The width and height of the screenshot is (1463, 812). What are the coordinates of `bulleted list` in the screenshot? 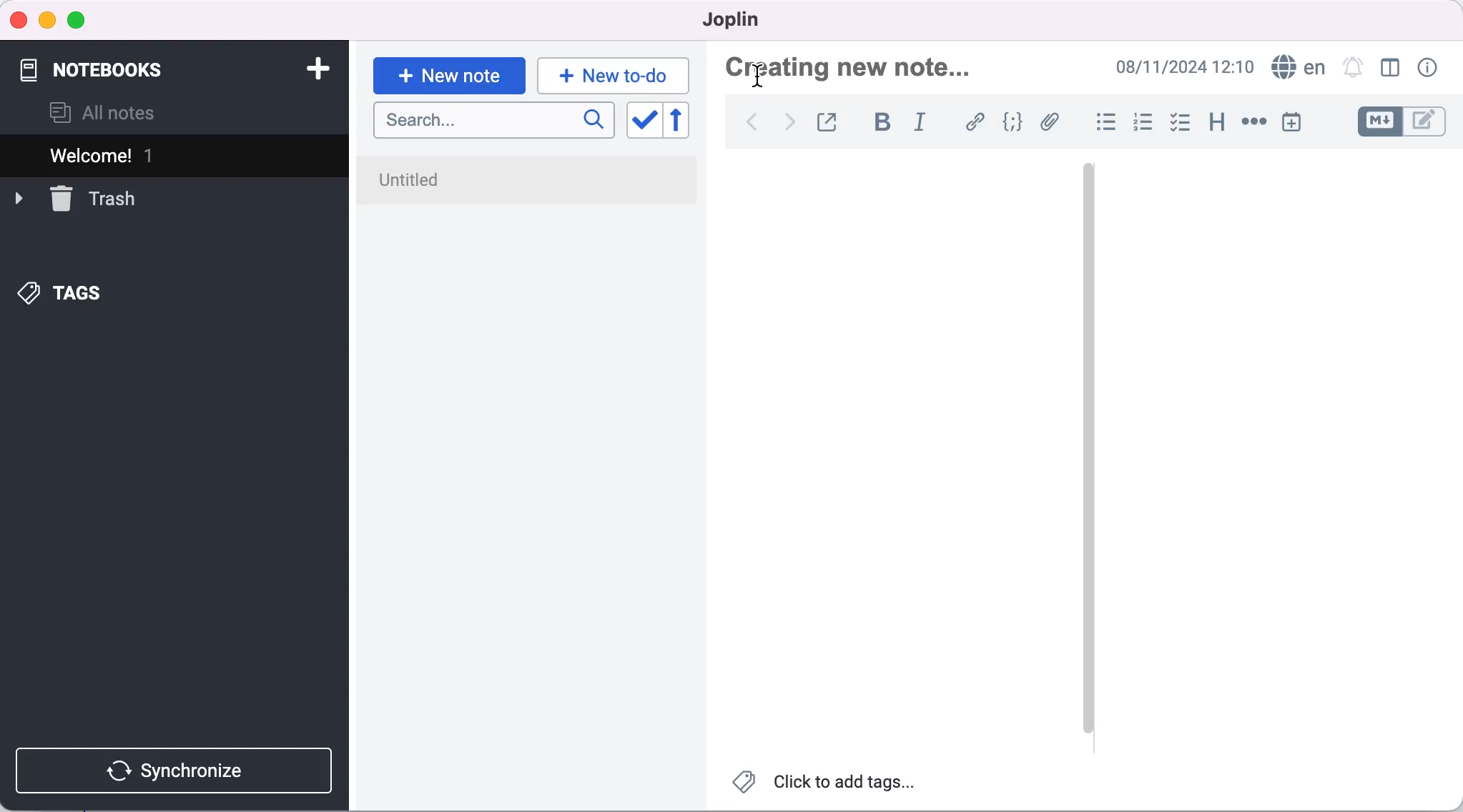 It's located at (1105, 122).